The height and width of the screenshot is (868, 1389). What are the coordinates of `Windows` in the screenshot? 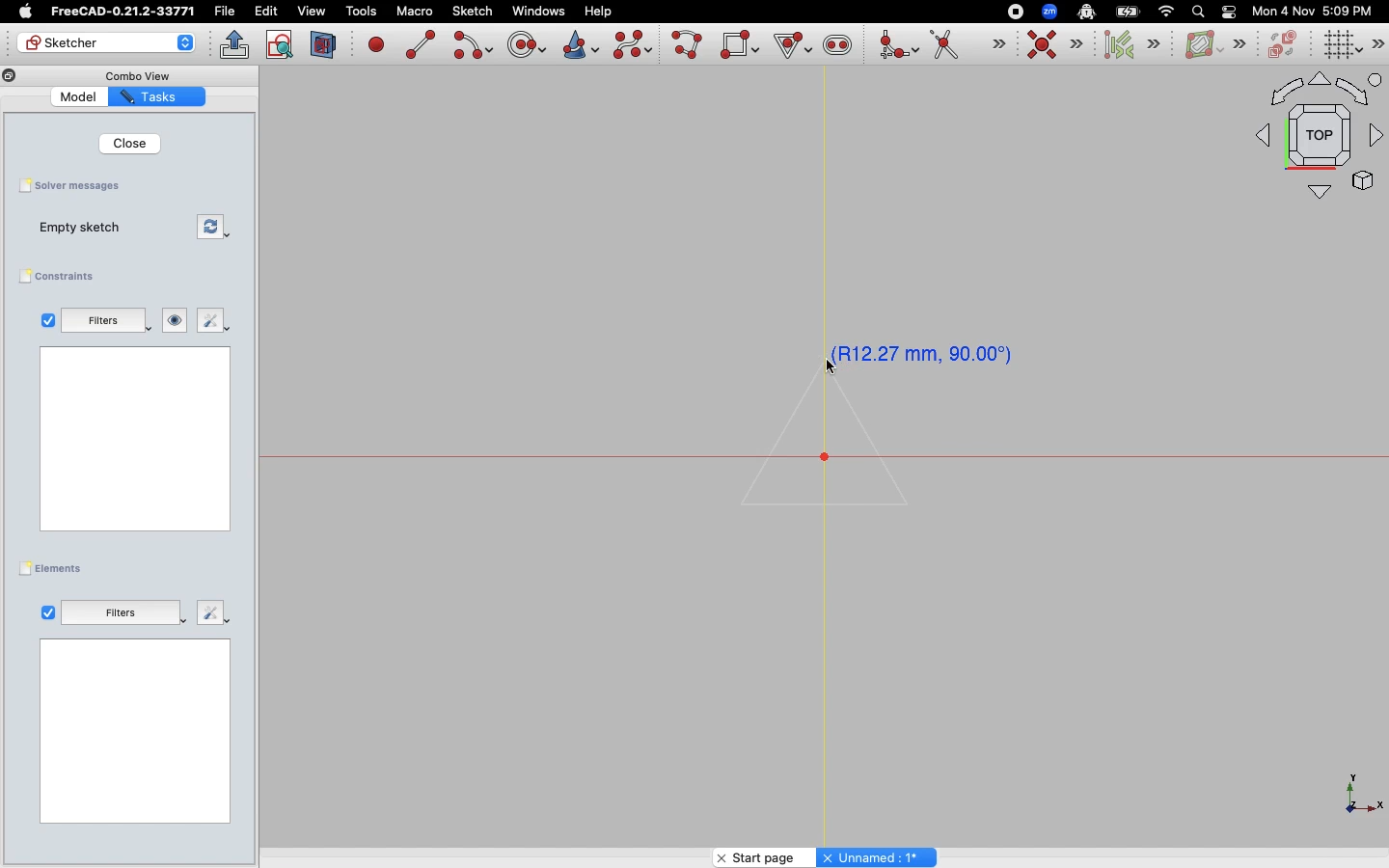 It's located at (538, 12).